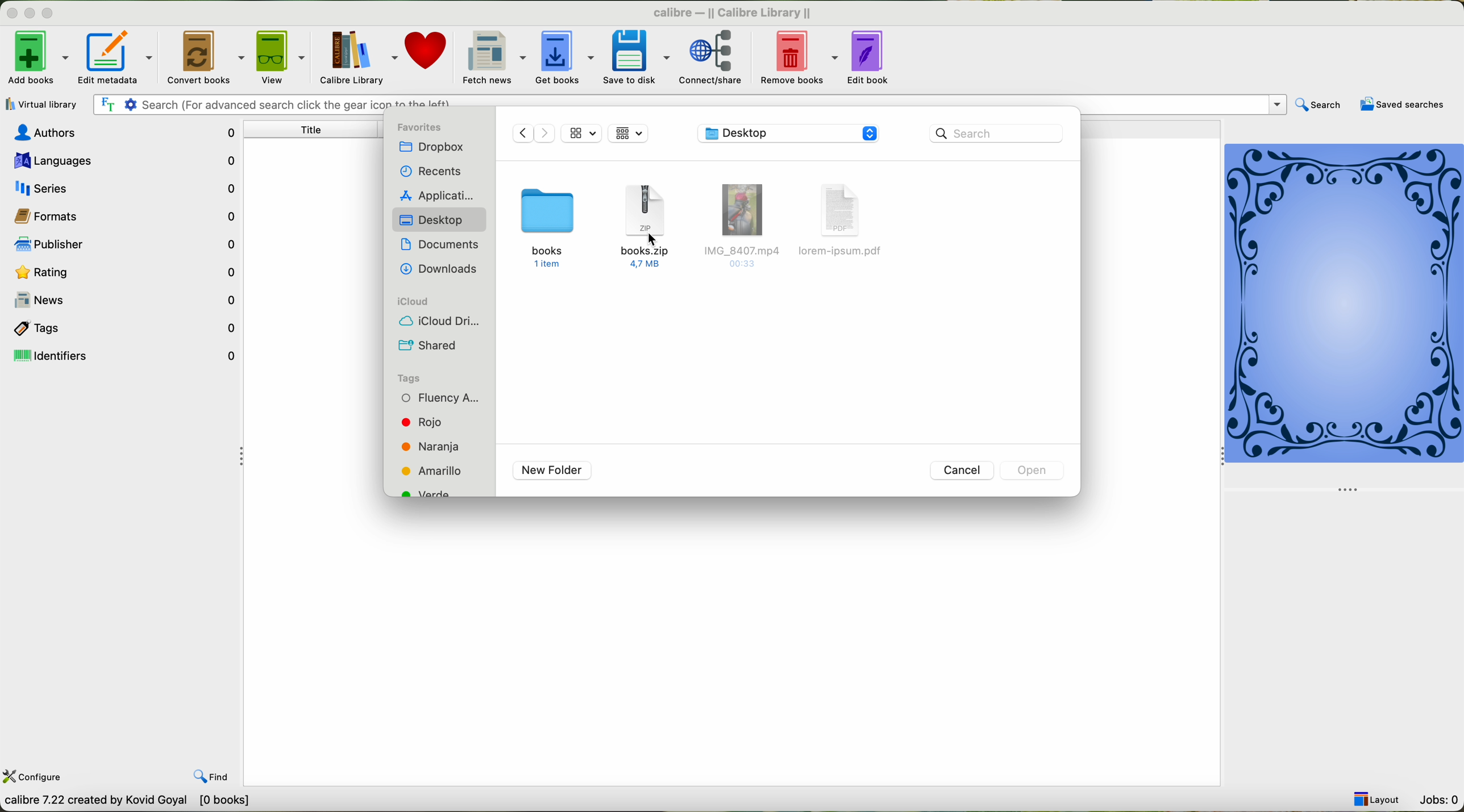 This screenshot has height=812, width=1464. What do you see at coordinates (416, 378) in the screenshot?
I see `tags` at bounding box center [416, 378].